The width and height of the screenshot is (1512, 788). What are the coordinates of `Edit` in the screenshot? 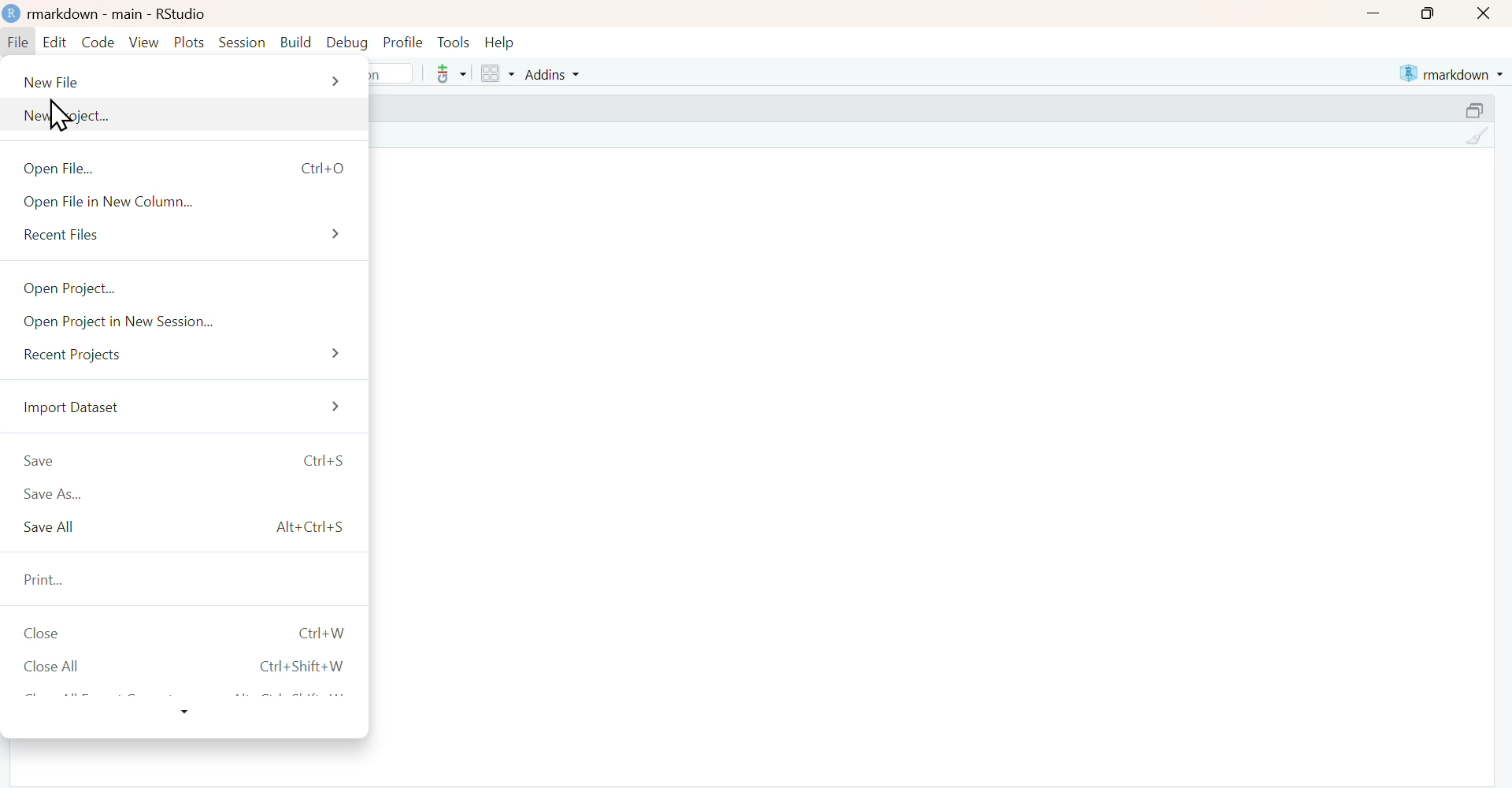 It's located at (54, 43).